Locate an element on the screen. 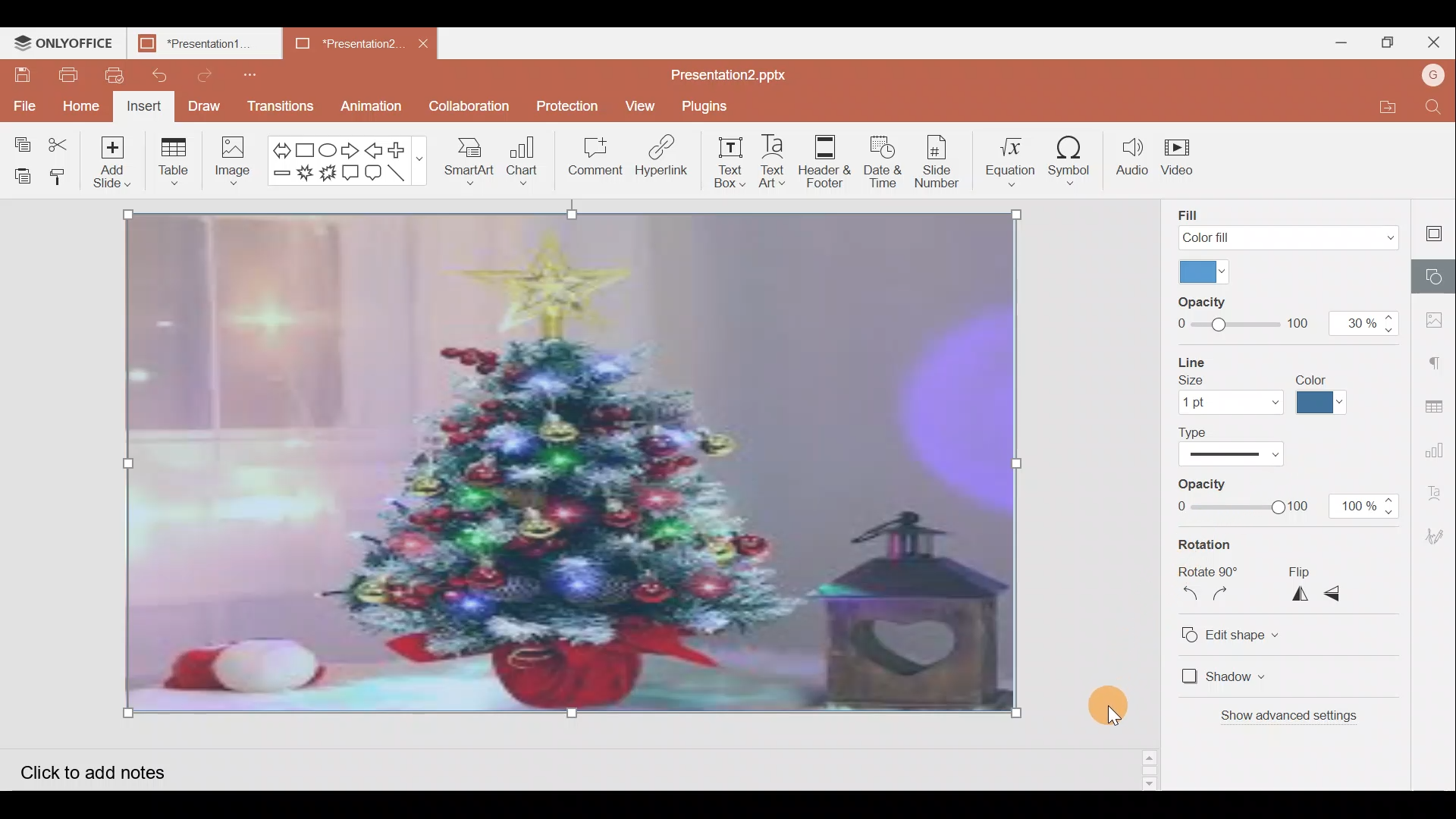 The height and width of the screenshot is (819, 1456). Fill is located at coordinates (1283, 224).